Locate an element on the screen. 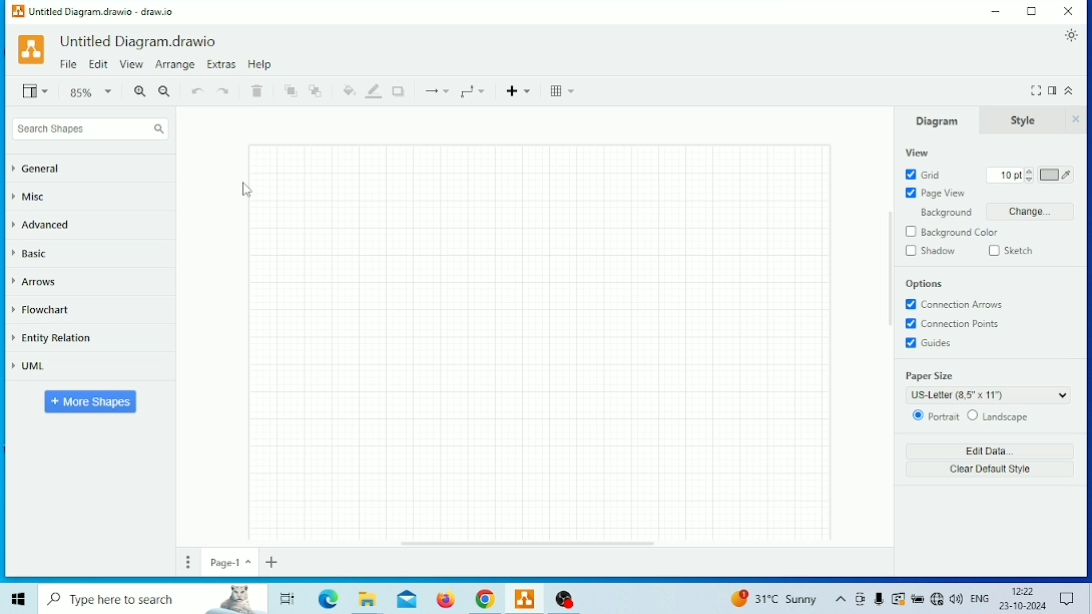 The height and width of the screenshot is (614, 1092). Landscape is located at coordinates (997, 416).